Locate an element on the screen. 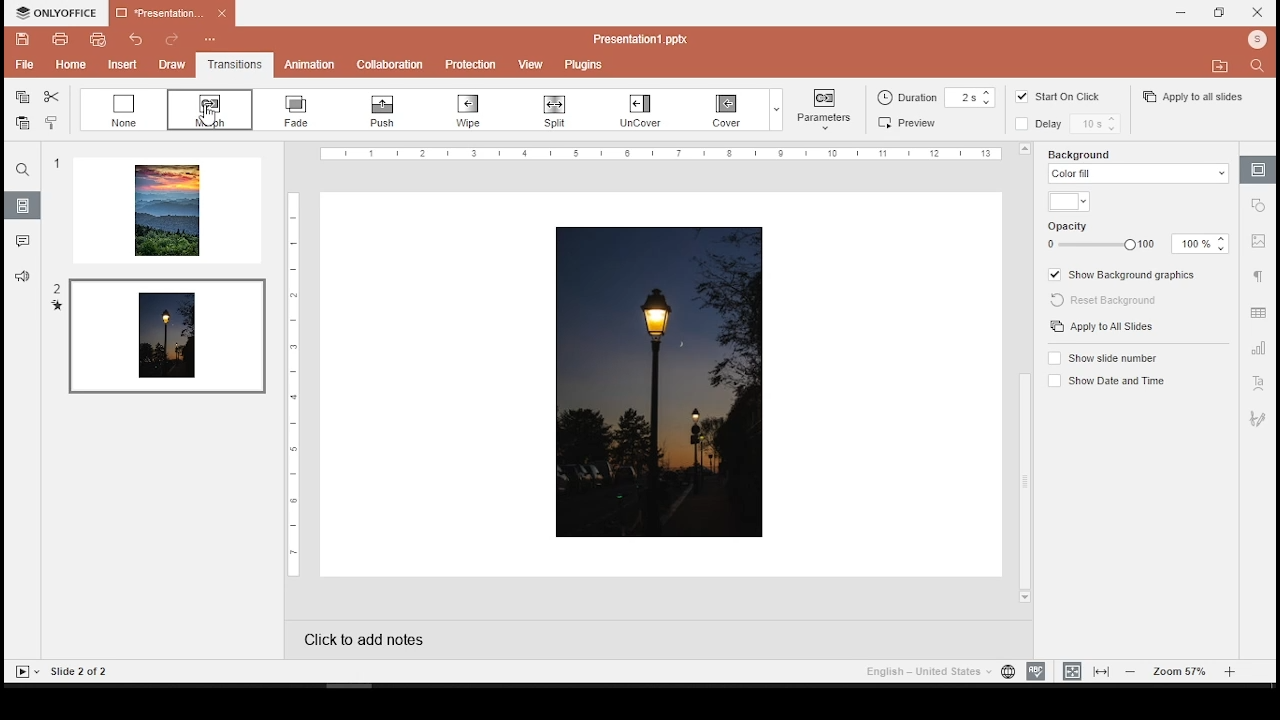 This screenshot has width=1280, height=720. move is located at coordinates (1219, 64).